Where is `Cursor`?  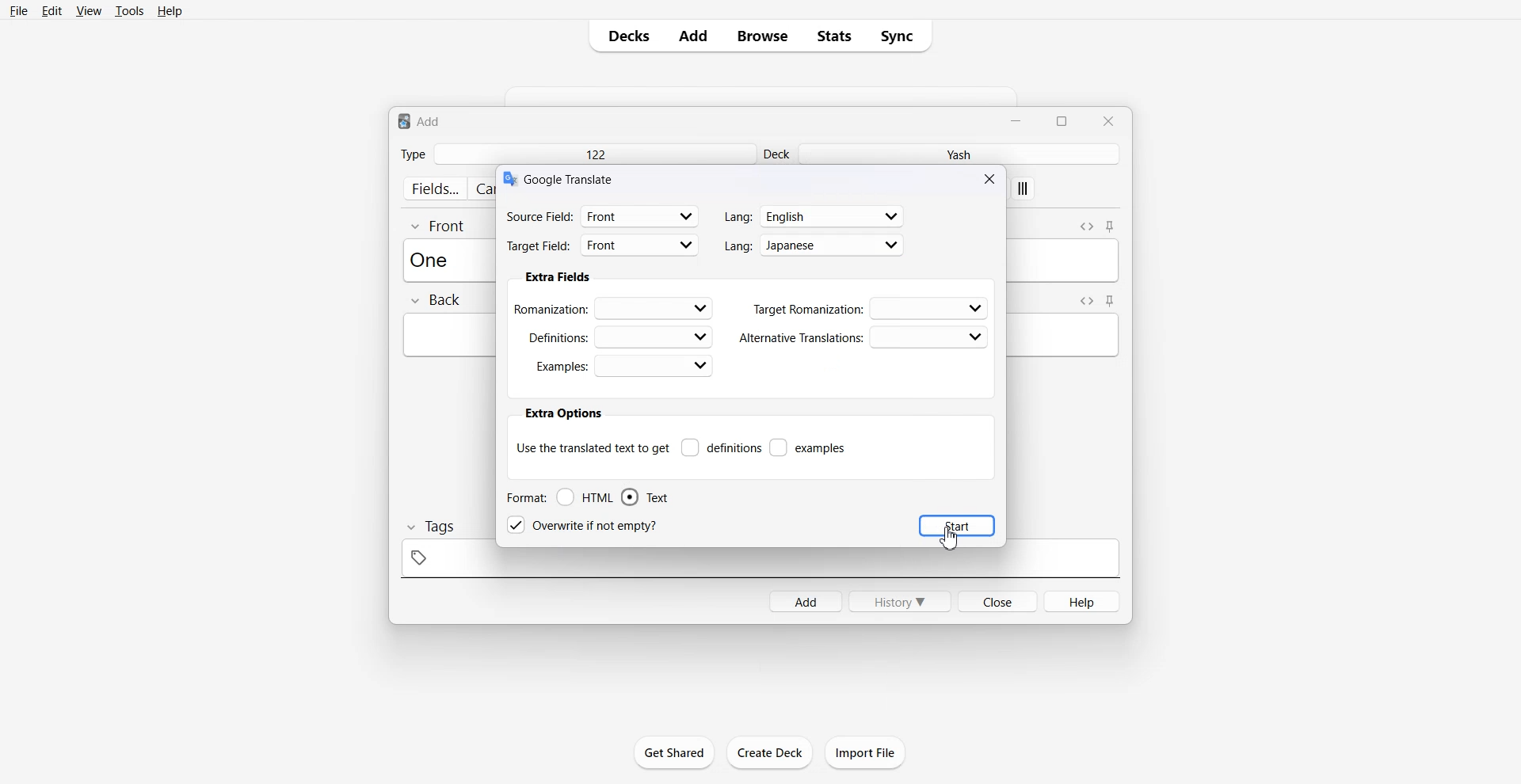 Cursor is located at coordinates (951, 539).